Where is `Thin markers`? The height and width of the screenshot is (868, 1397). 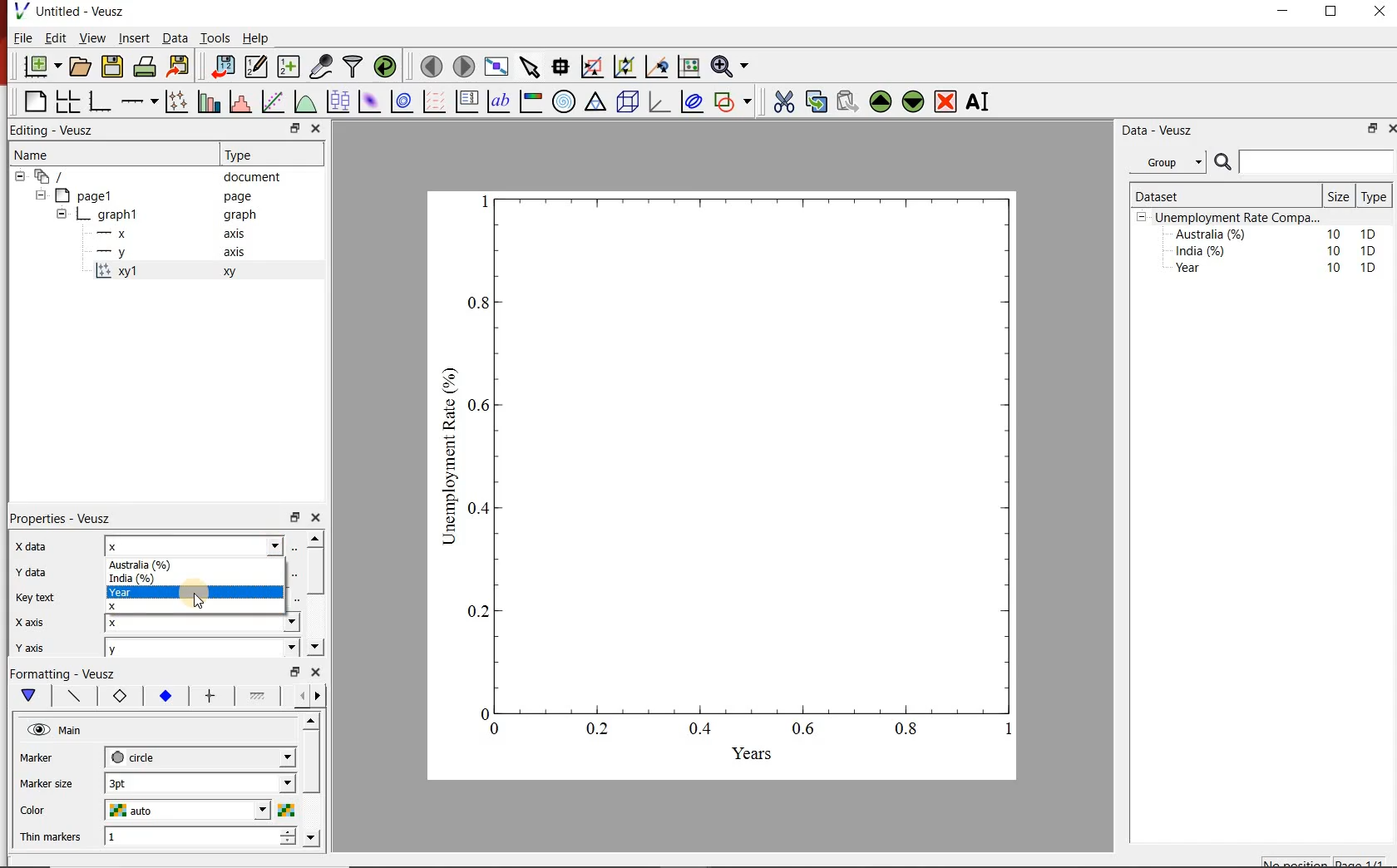
Thin markers is located at coordinates (52, 838).